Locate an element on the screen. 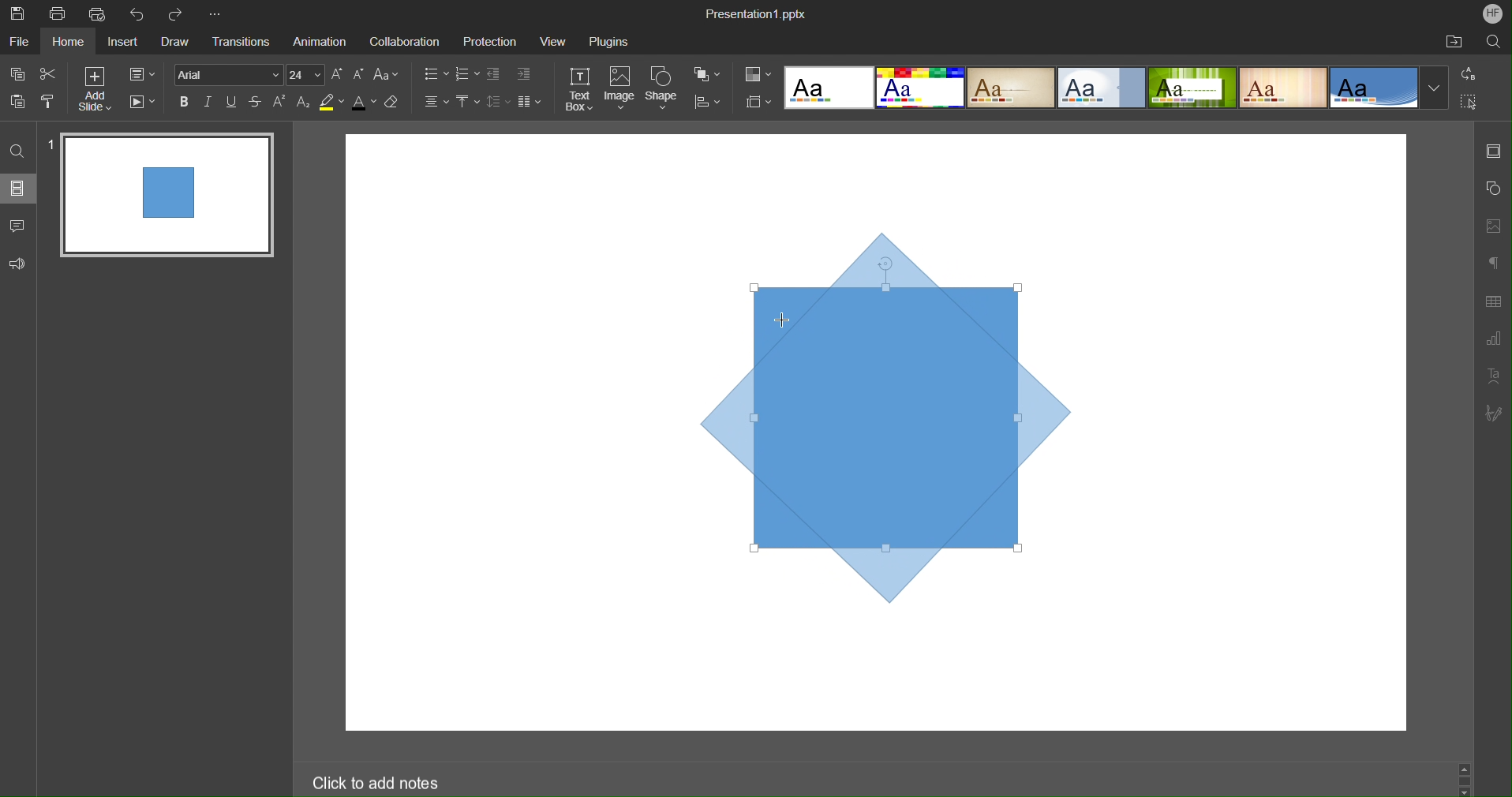  Line Spacing is located at coordinates (499, 101).